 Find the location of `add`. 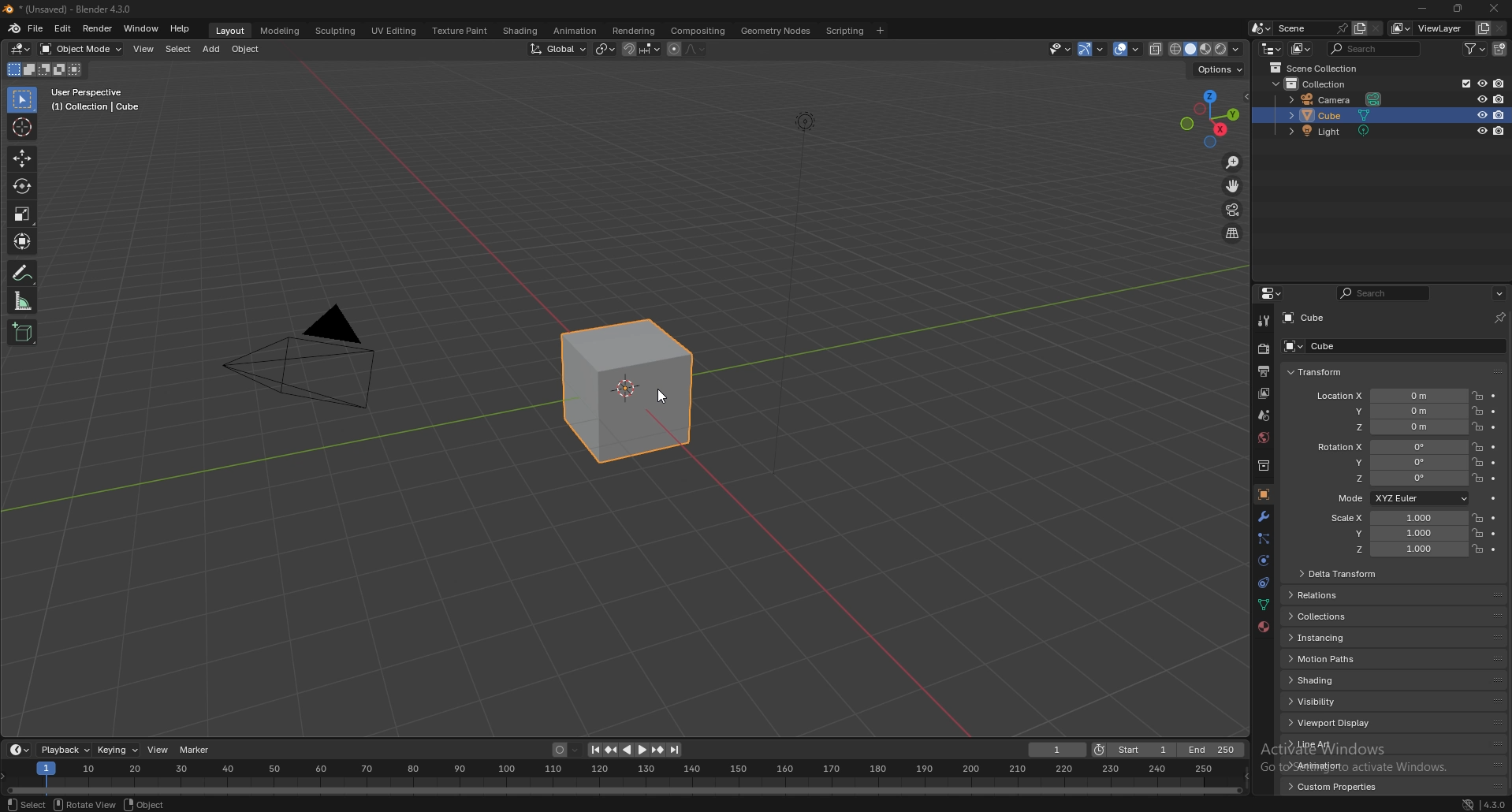

add is located at coordinates (214, 48).